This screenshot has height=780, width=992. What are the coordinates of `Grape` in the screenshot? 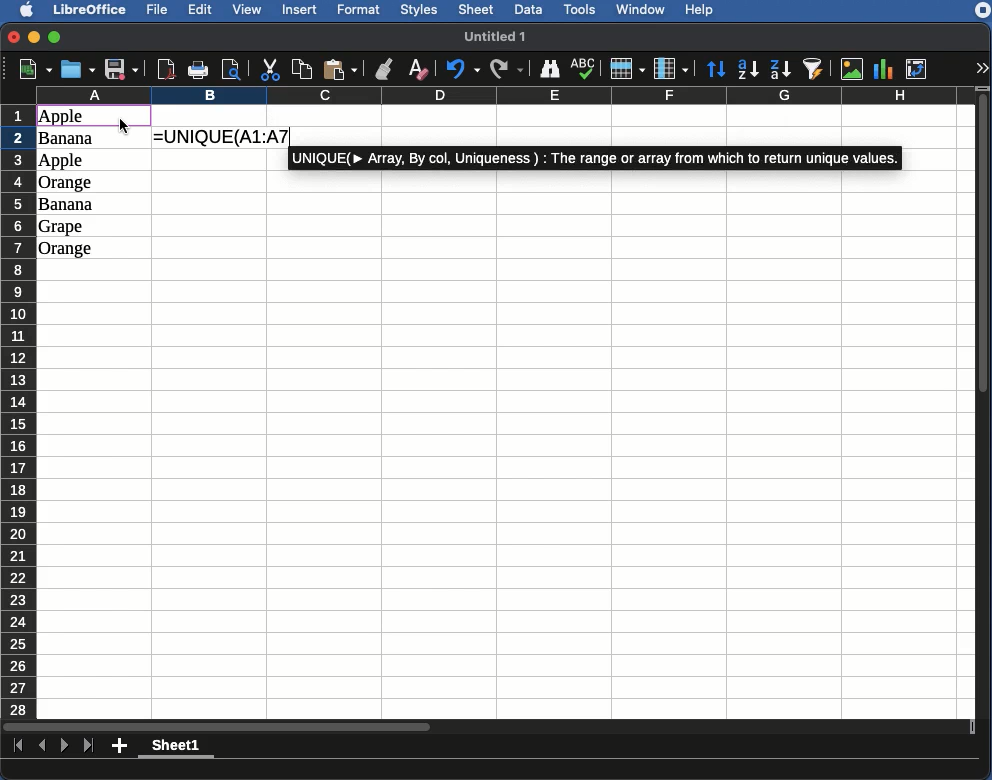 It's located at (63, 227).